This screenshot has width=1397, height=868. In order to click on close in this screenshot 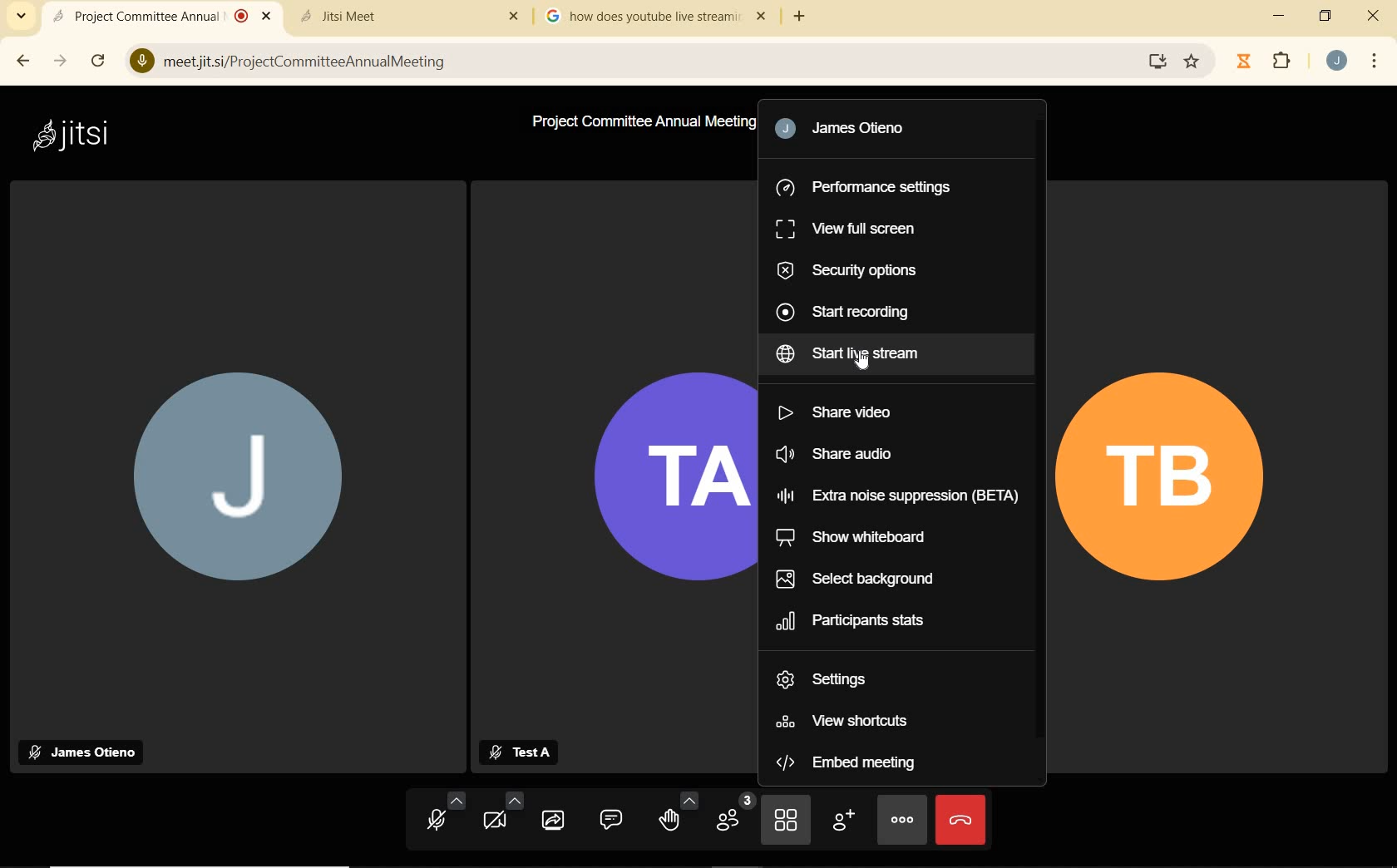, I will do `click(1375, 16)`.